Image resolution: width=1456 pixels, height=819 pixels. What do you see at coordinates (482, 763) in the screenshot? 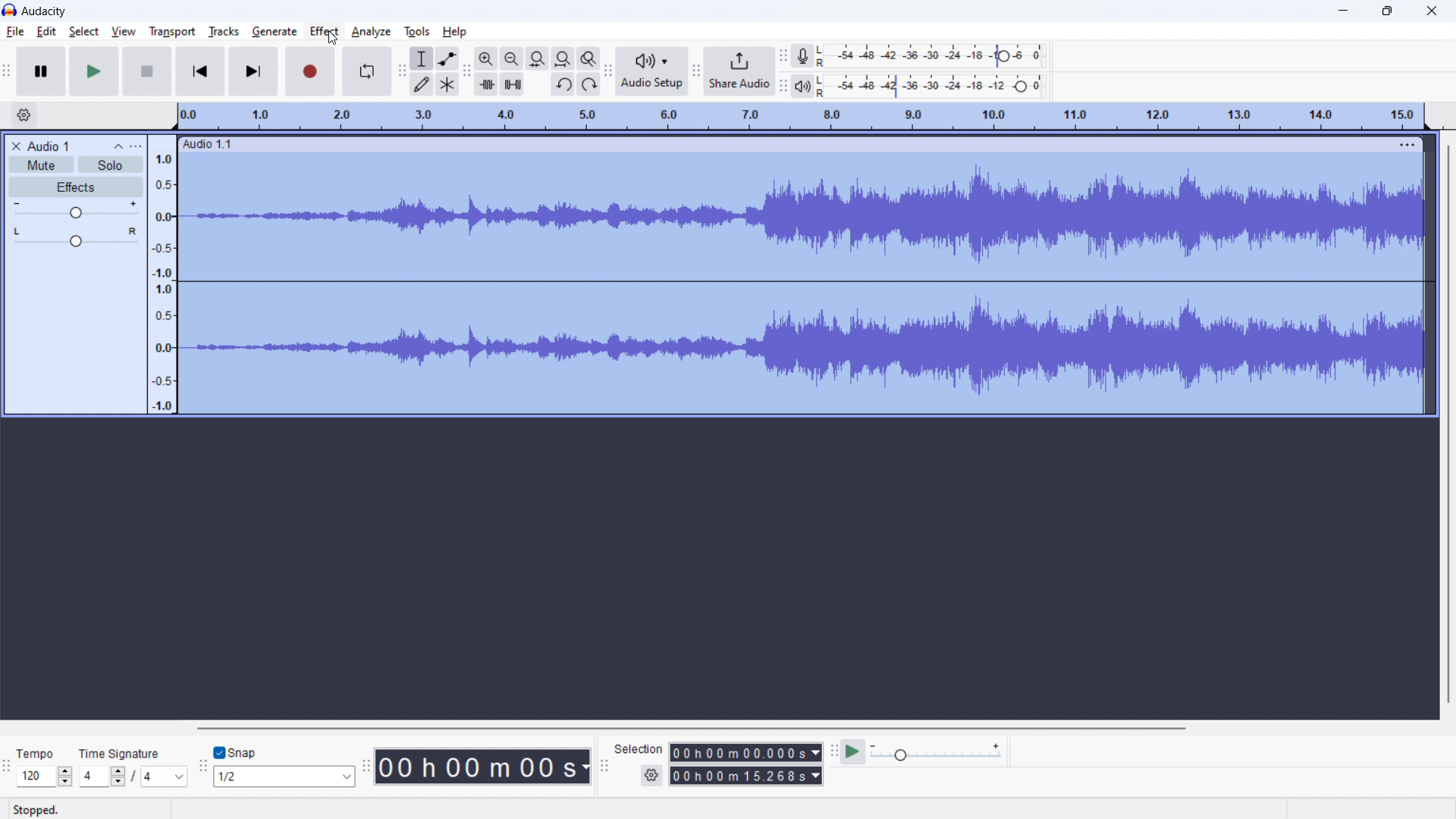
I see `00 h 00 m 00 s` at bounding box center [482, 763].